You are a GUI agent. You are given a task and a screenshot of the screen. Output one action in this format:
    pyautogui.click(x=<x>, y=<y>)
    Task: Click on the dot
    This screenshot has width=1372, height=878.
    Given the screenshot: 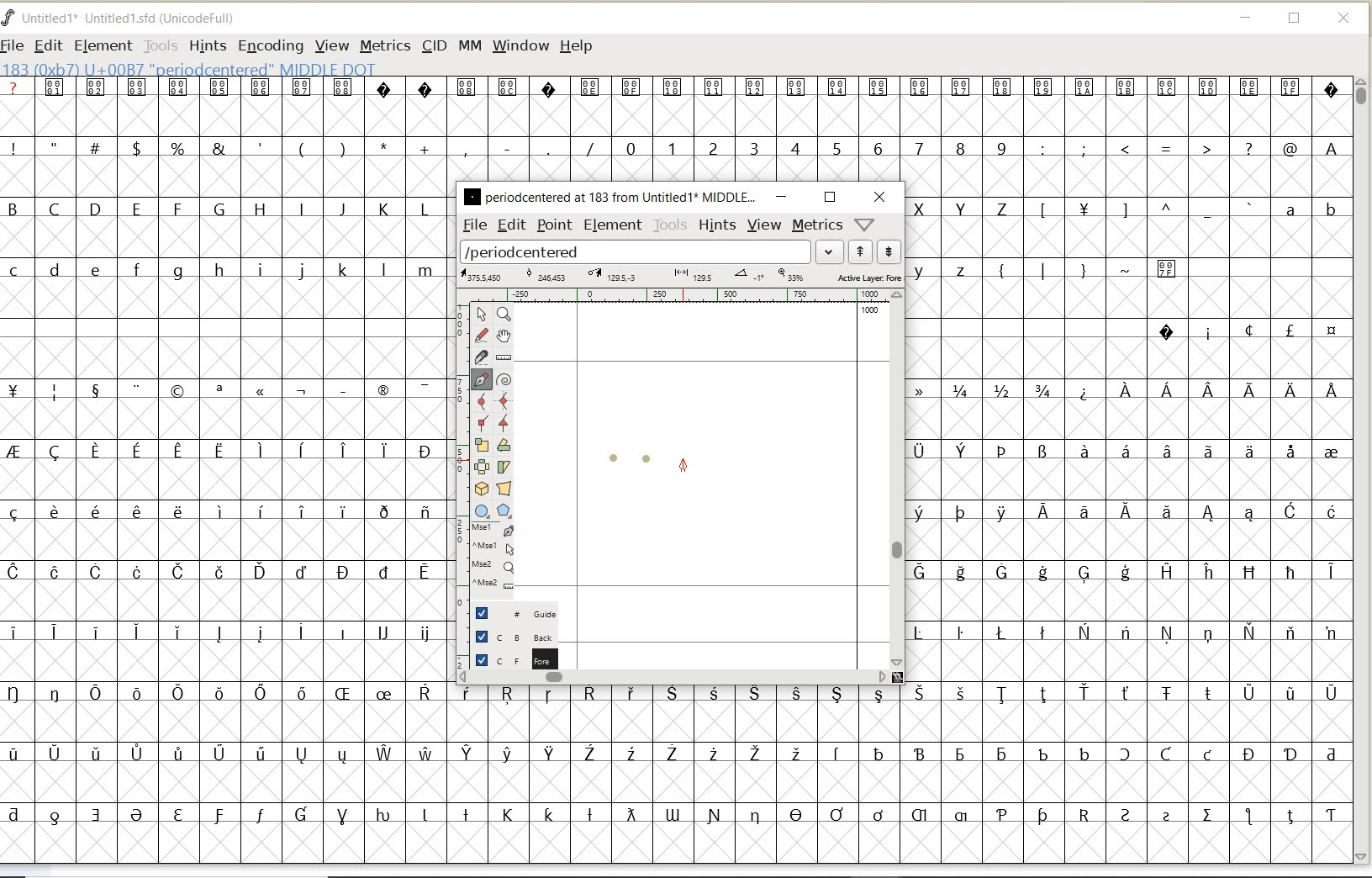 What is the action you would take?
    pyautogui.click(x=646, y=458)
    